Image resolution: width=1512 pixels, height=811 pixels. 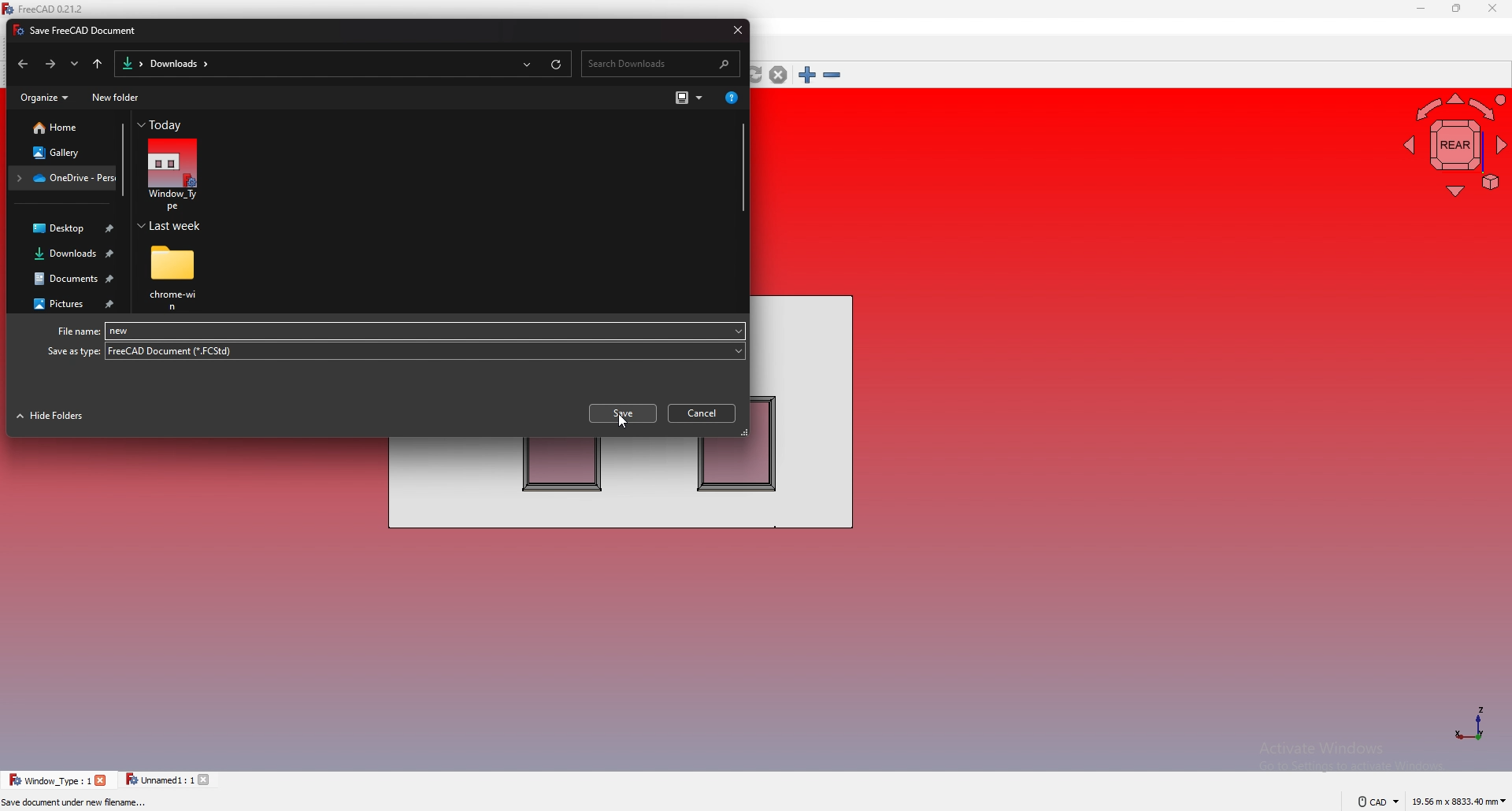 What do you see at coordinates (663, 62) in the screenshot?
I see `search downloads` at bounding box center [663, 62].